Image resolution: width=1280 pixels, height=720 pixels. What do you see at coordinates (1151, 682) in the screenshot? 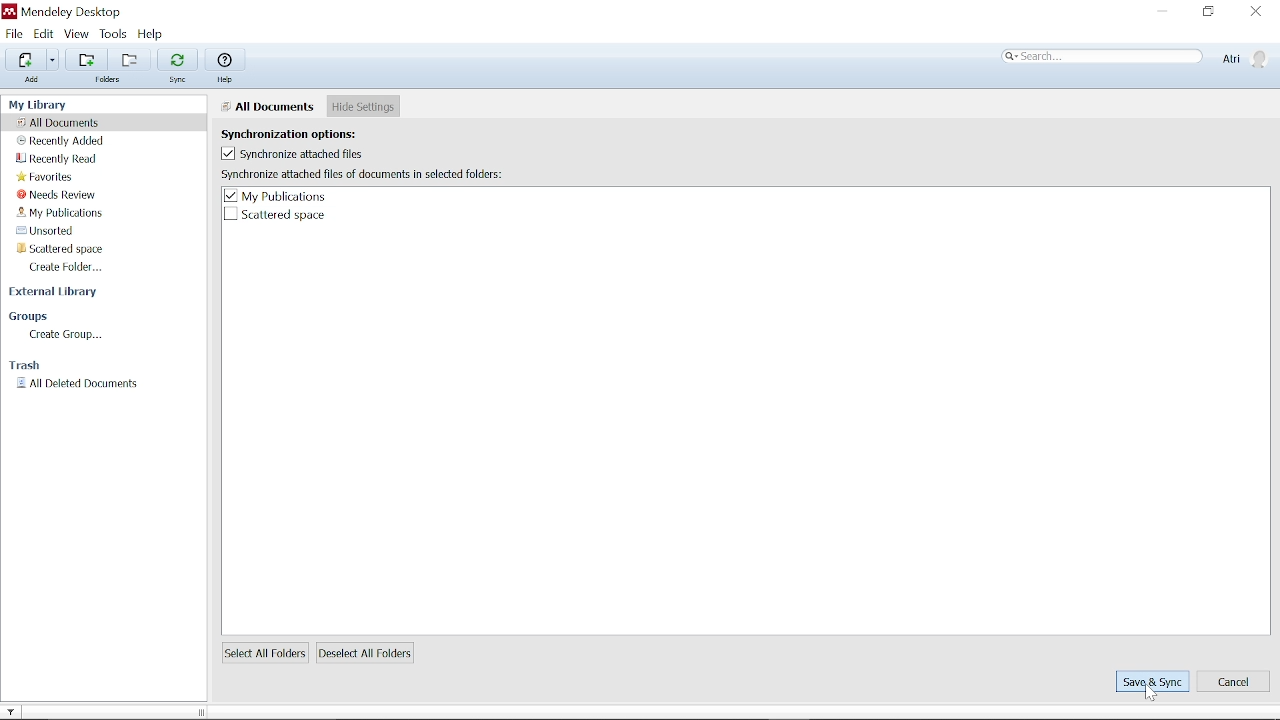
I see `Save and sync` at bounding box center [1151, 682].